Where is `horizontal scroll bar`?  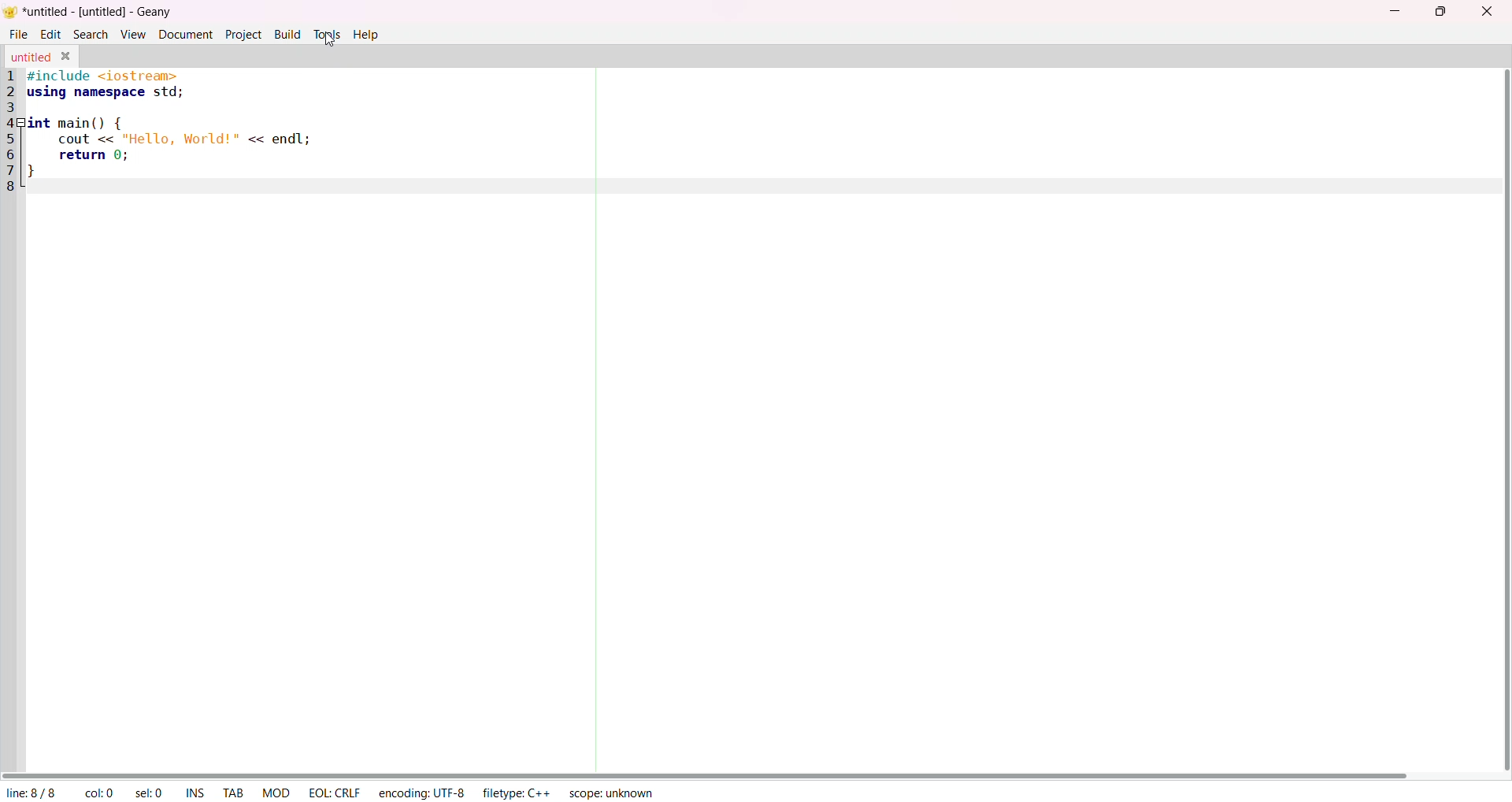 horizontal scroll bar is located at coordinates (712, 772).